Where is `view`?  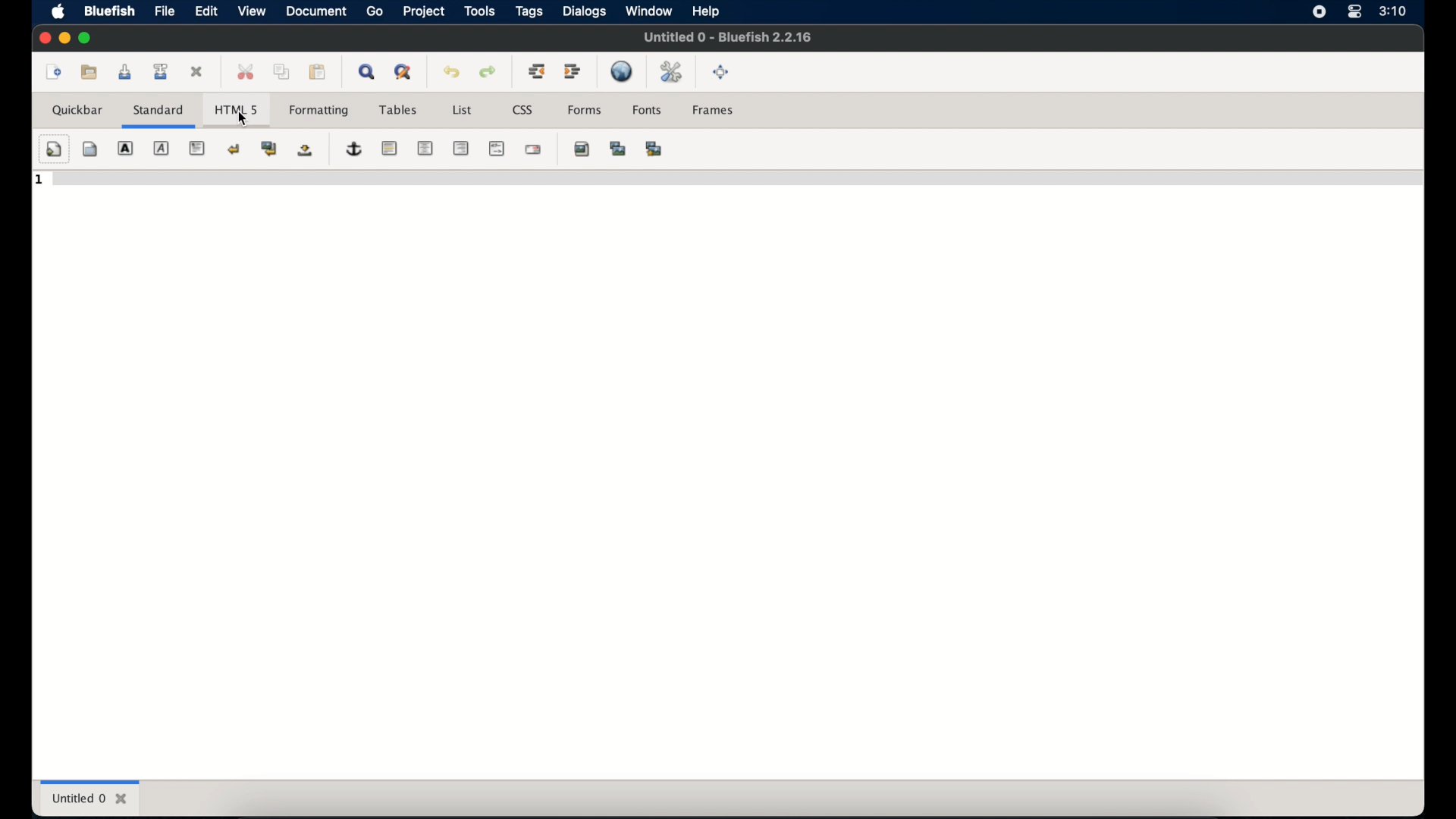
view is located at coordinates (251, 11).